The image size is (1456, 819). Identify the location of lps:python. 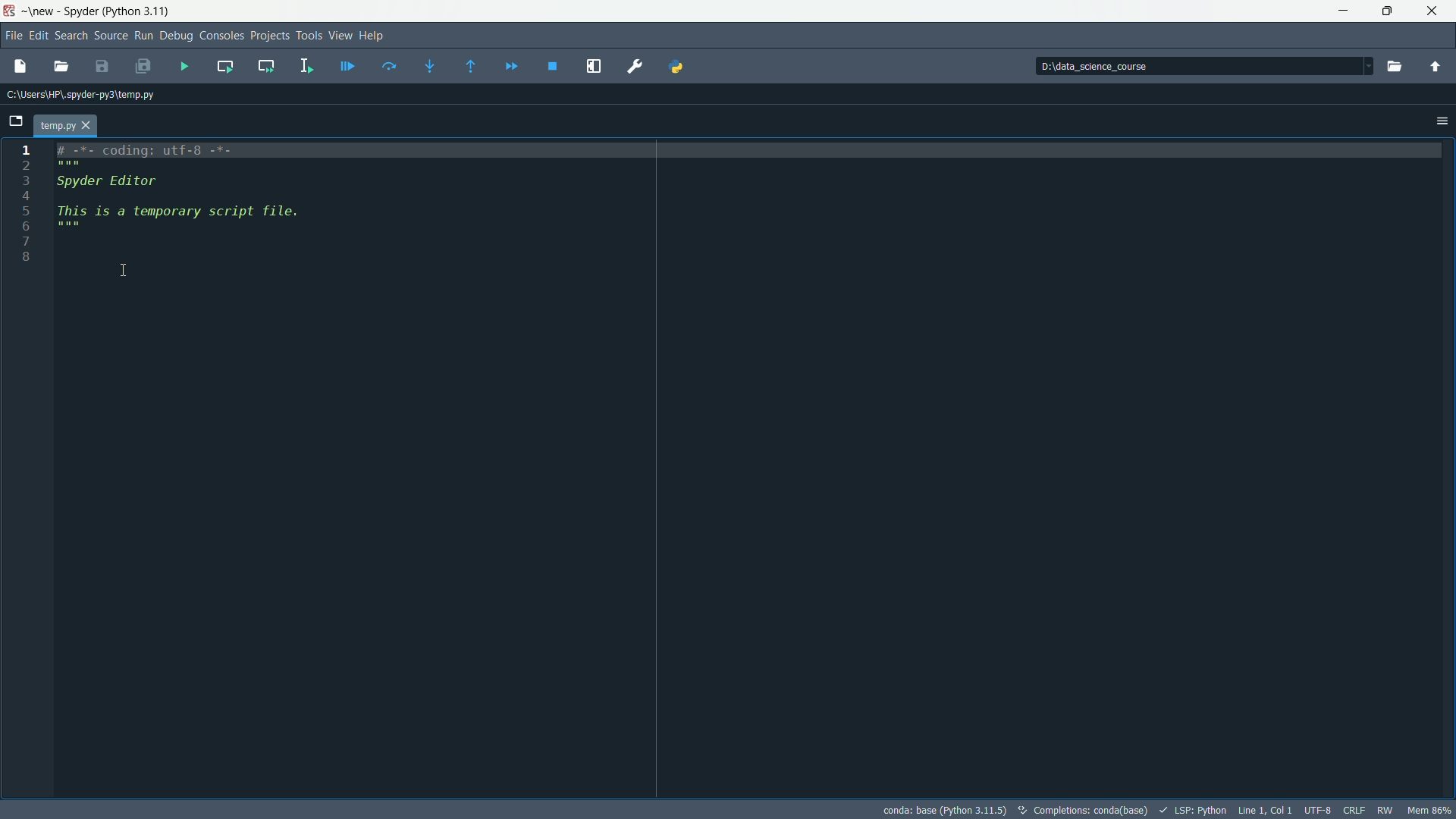
(1193, 808).